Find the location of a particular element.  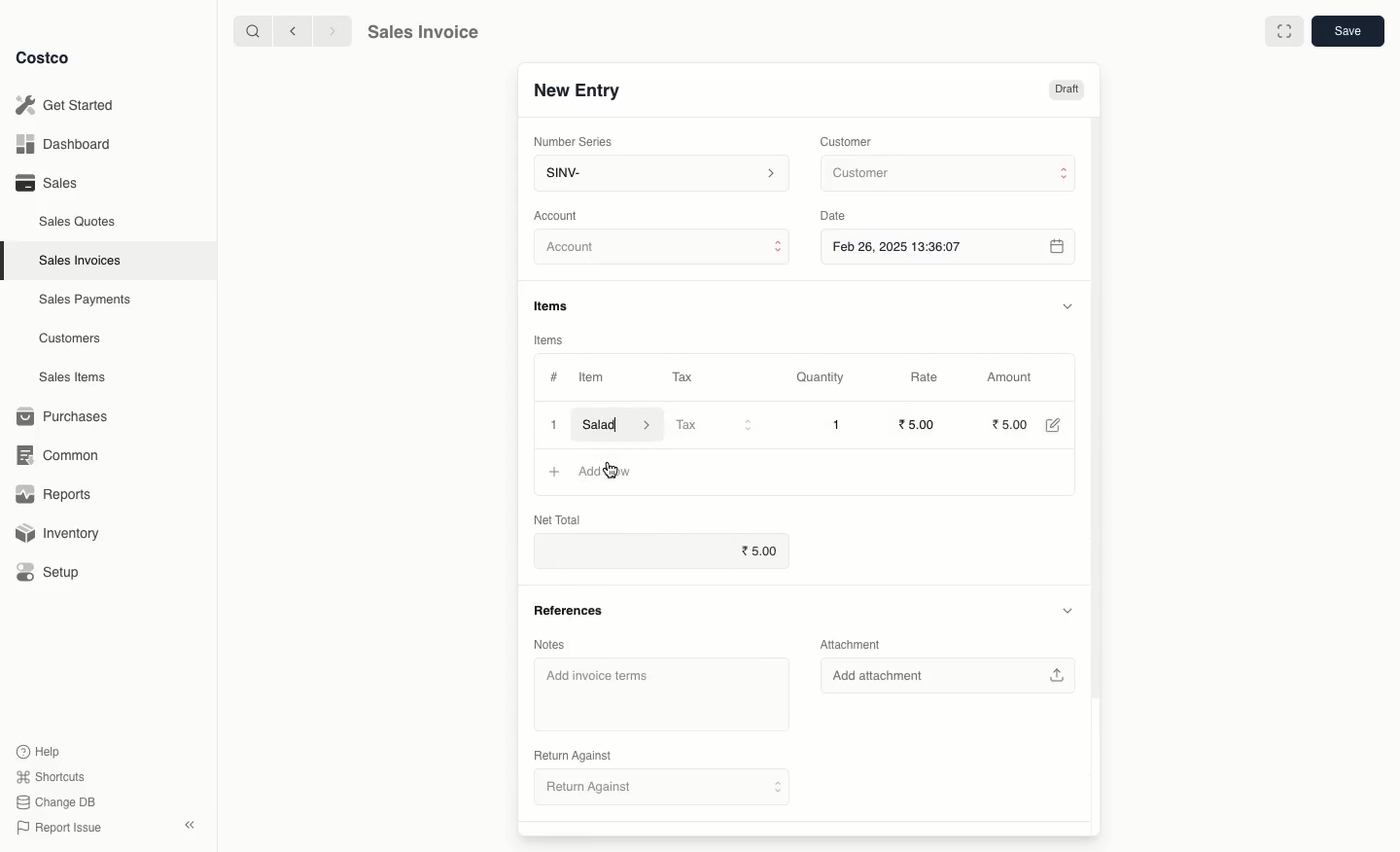

Change DB is located at coordinates (52, 800).